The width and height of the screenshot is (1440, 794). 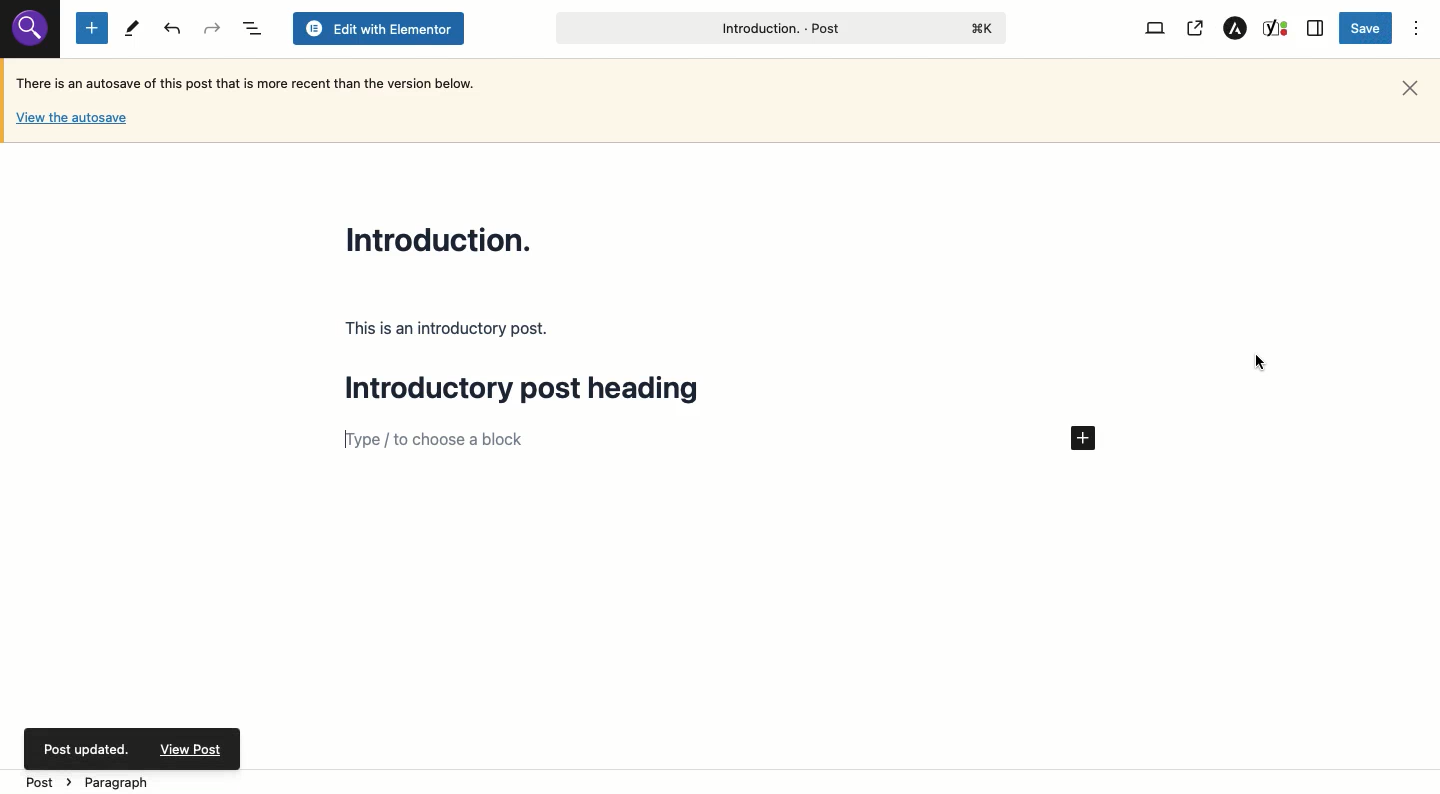 What do you see at coordinates (131, 29) in the screenshot?
I see `Tools` at bounding box center [131, 29].